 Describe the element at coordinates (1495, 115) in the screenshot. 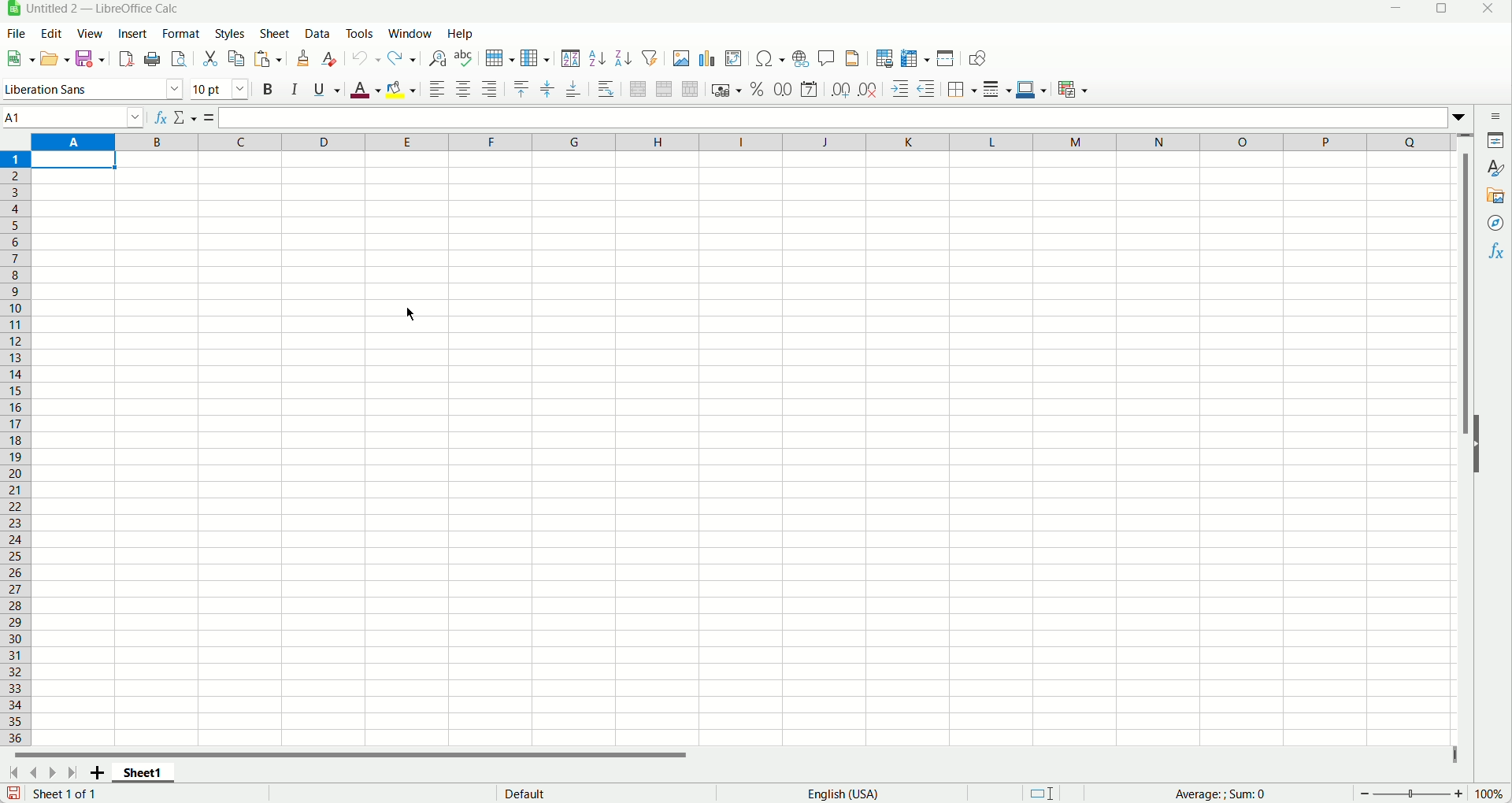

I see `Sidebar settings` at that location.